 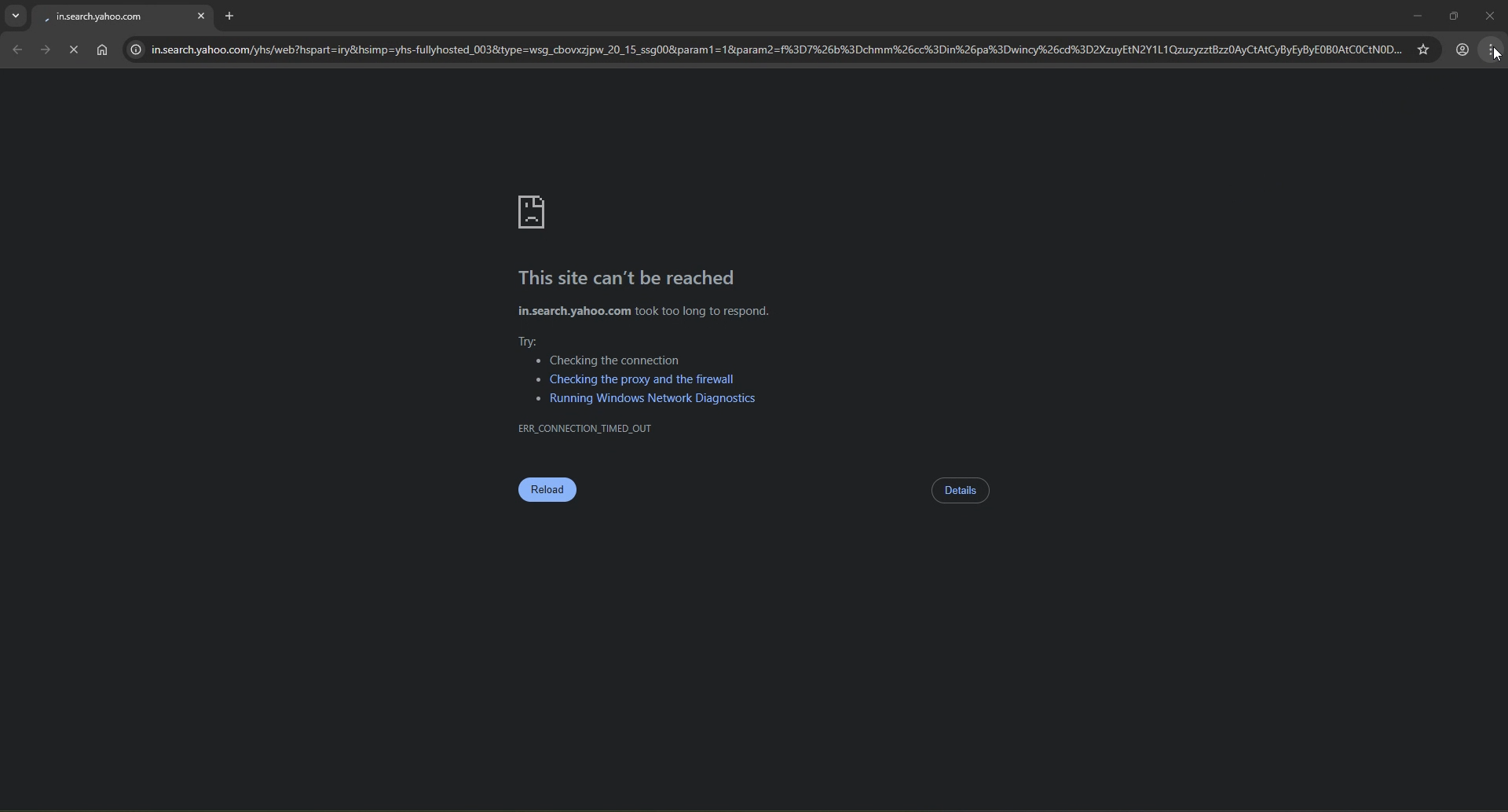 I want to click on @ insearchyahoo.com/yhs/webZhspart=iry&hsimp=yhs-fullyhosted_003&type=wsg_cbovxzjpw_20_15_ssg00&param1=18&param2=3%3D7%26b%3Dchmm%26¢c%3Din3%26pa%3Dwincy%26cd%3D2XzuyEtN2Y 111Qzuzyz2tBzz0AYCtAICy By EyByEOBOACOCENOD.., so click(x=761, y=50).